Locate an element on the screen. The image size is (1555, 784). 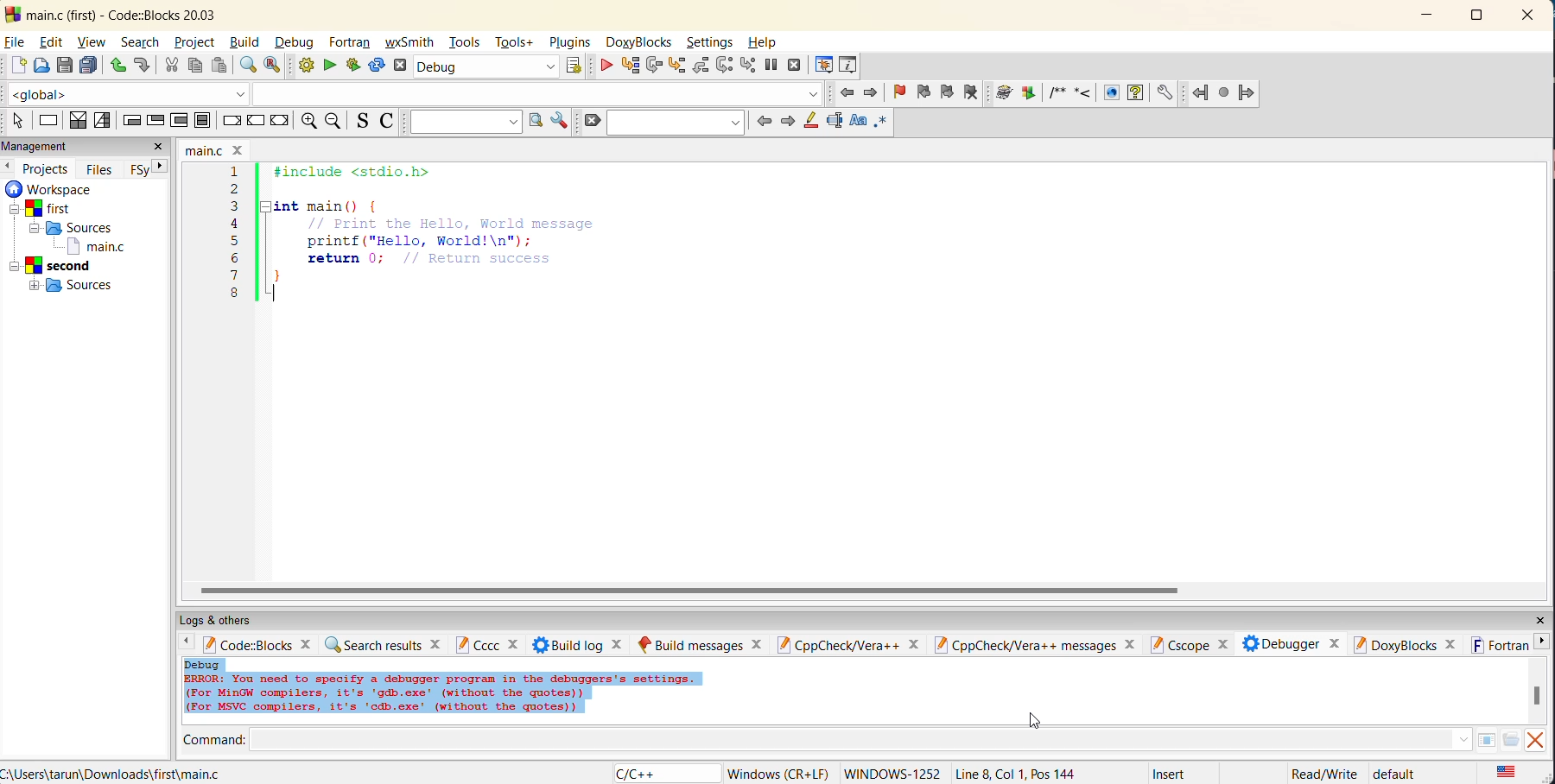
edit is located at coordinates (52, 42).